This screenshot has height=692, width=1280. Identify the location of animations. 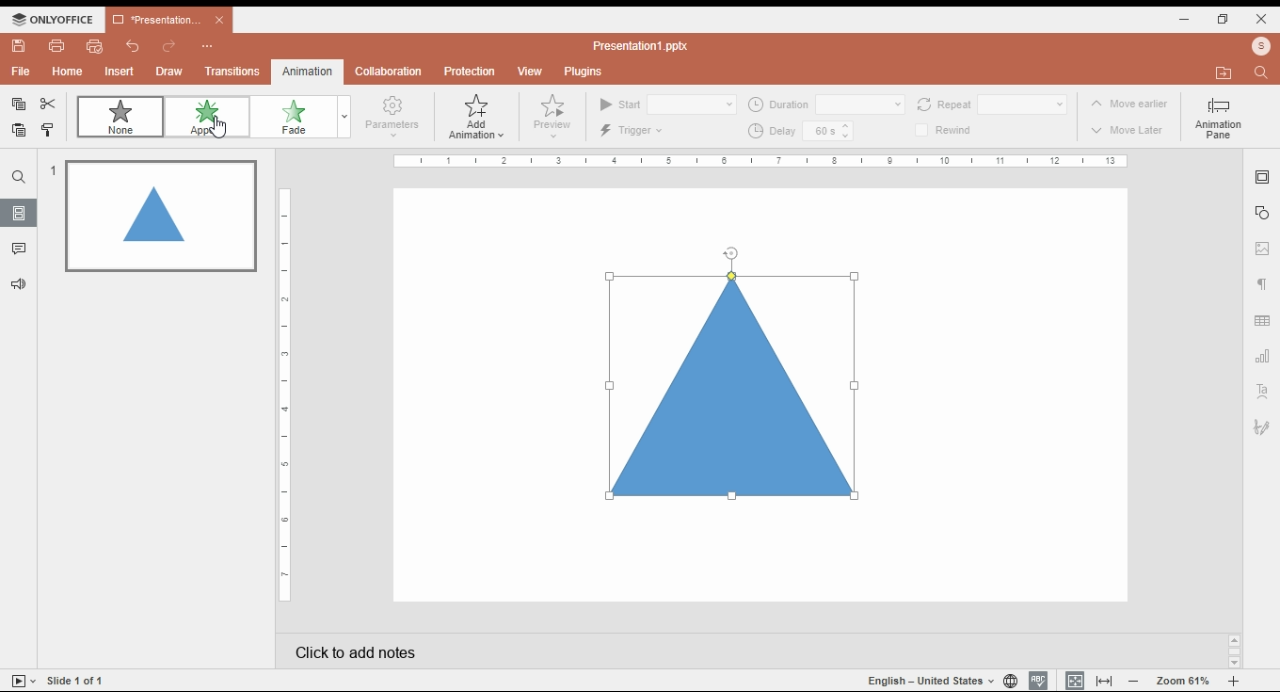
(307, 72).